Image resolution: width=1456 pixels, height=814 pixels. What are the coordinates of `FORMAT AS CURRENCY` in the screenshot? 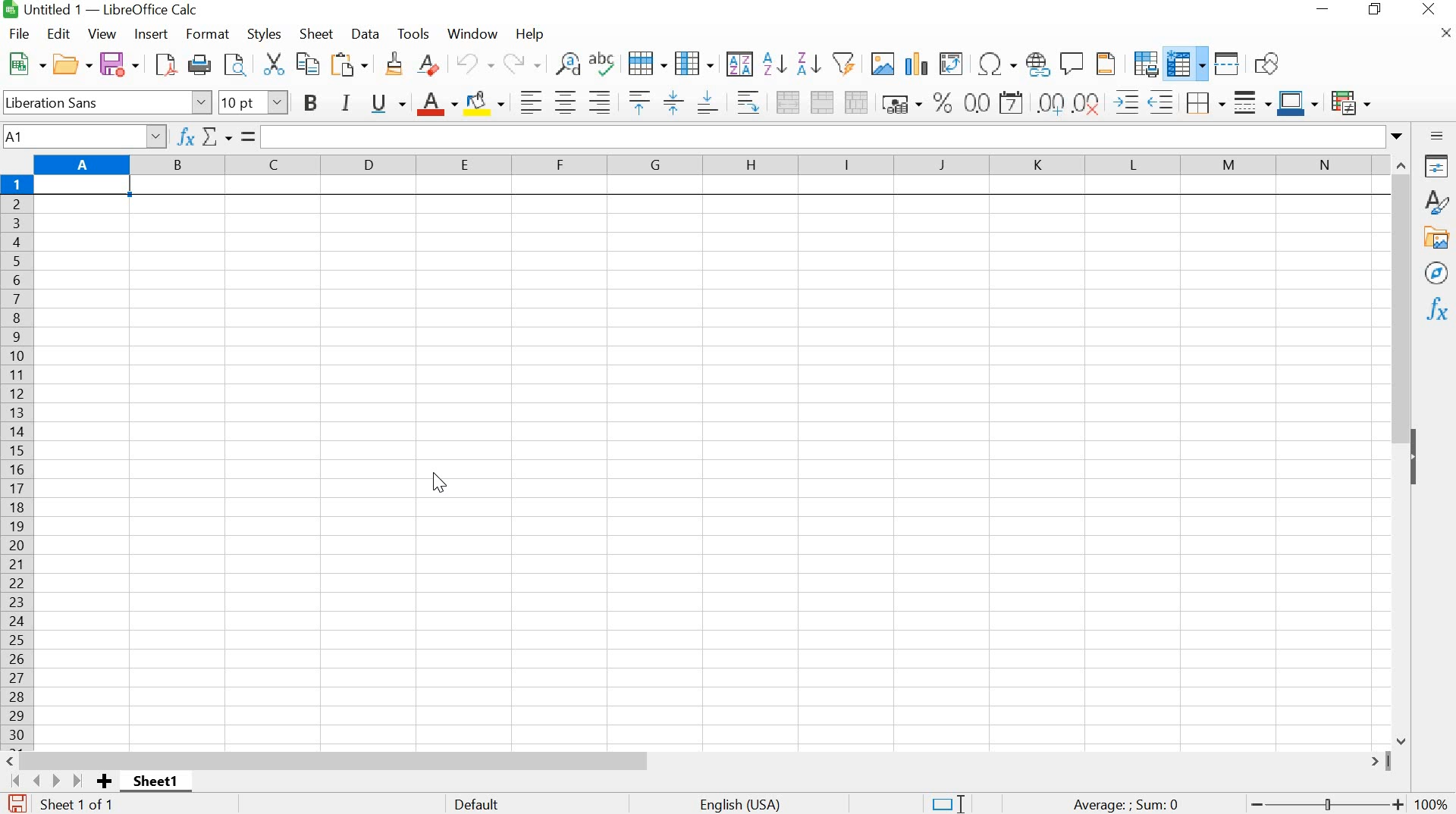 It's located at (902, 103).